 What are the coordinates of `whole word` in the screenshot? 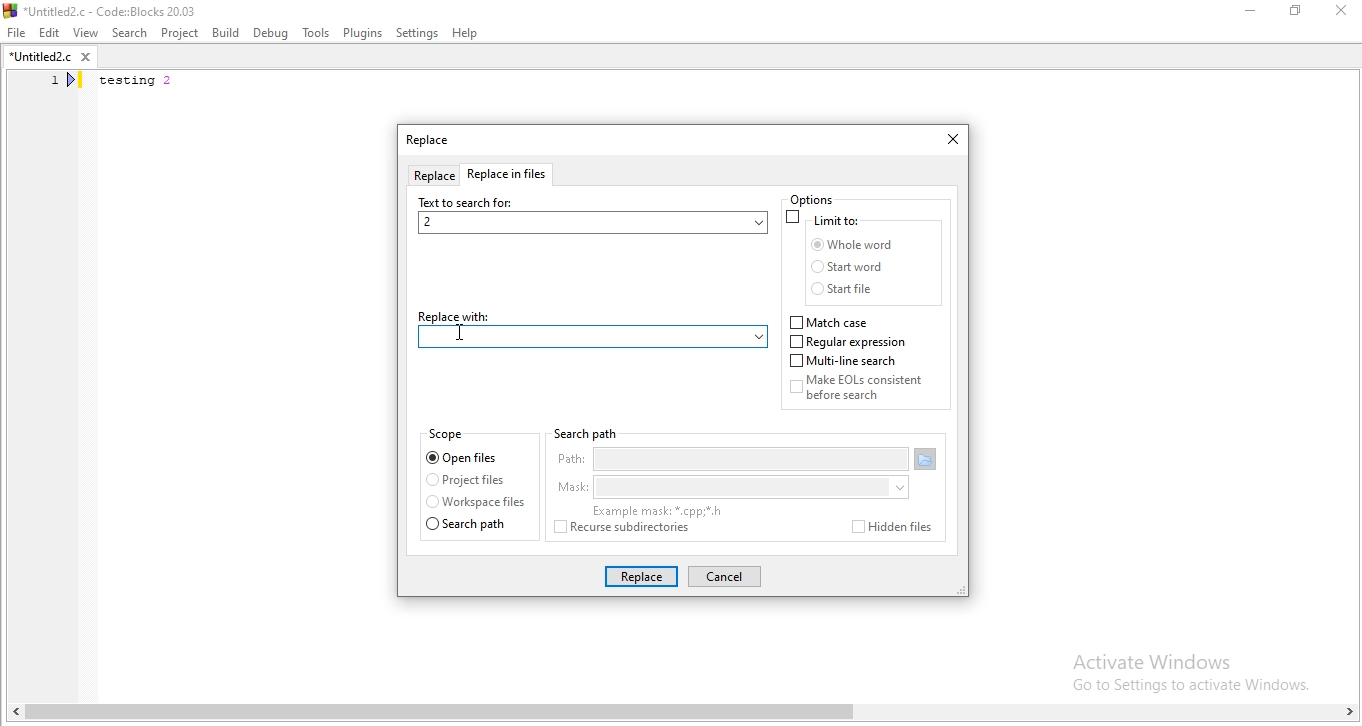 It's located at (850, 245).